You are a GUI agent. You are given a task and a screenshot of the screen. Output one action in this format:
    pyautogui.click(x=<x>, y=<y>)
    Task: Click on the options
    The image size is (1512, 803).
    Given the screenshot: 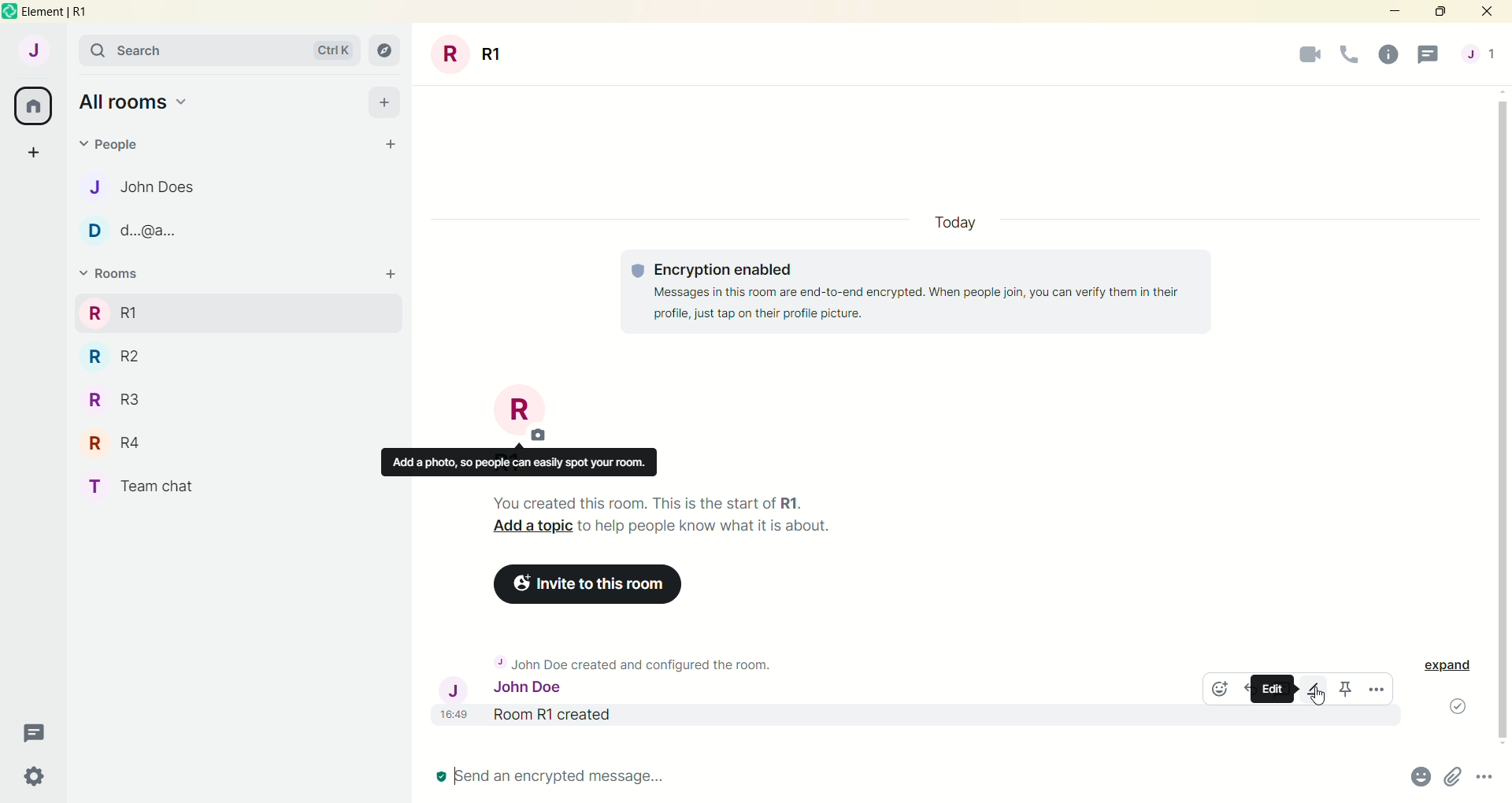 What is the action you would take?
    pyautogui.click(x=1378, y=690)
    